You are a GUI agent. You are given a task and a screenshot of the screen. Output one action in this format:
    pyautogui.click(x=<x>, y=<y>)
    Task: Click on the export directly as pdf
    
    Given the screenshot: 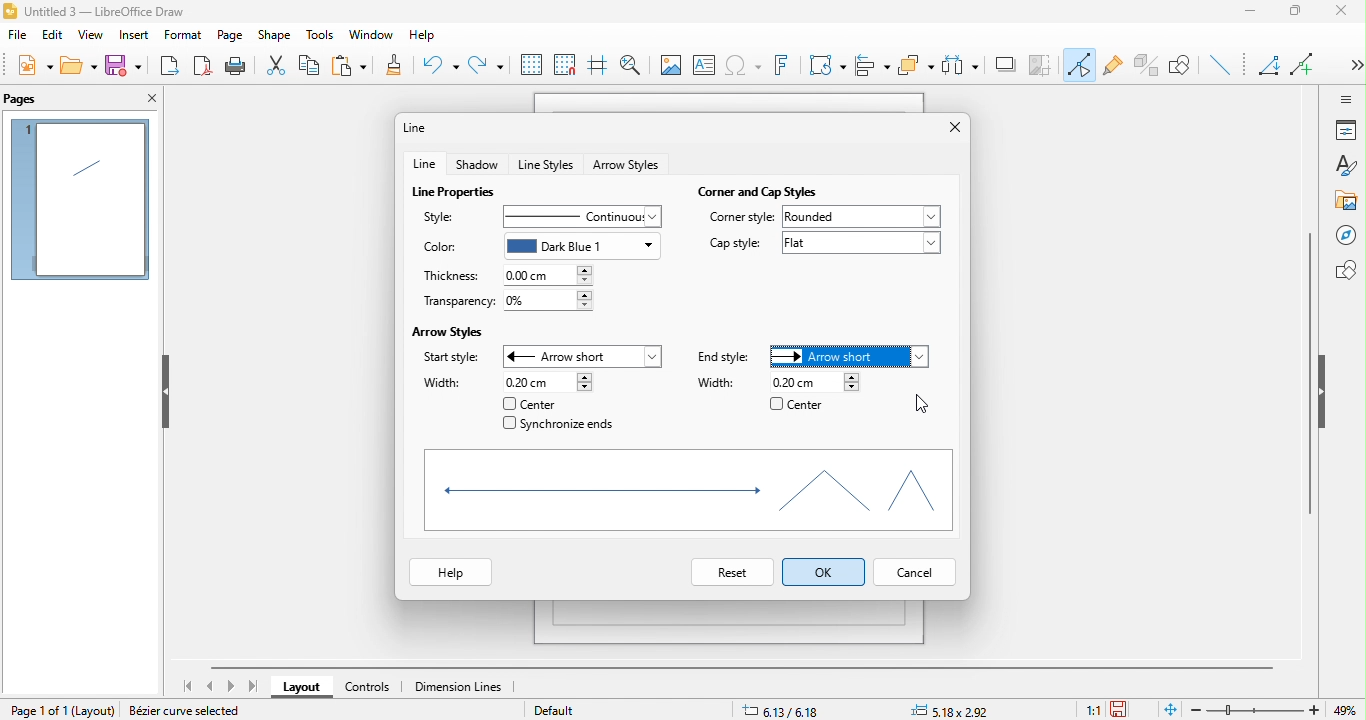 What is the action you would take?
    pyautogui.click(x=203, y=67)
    